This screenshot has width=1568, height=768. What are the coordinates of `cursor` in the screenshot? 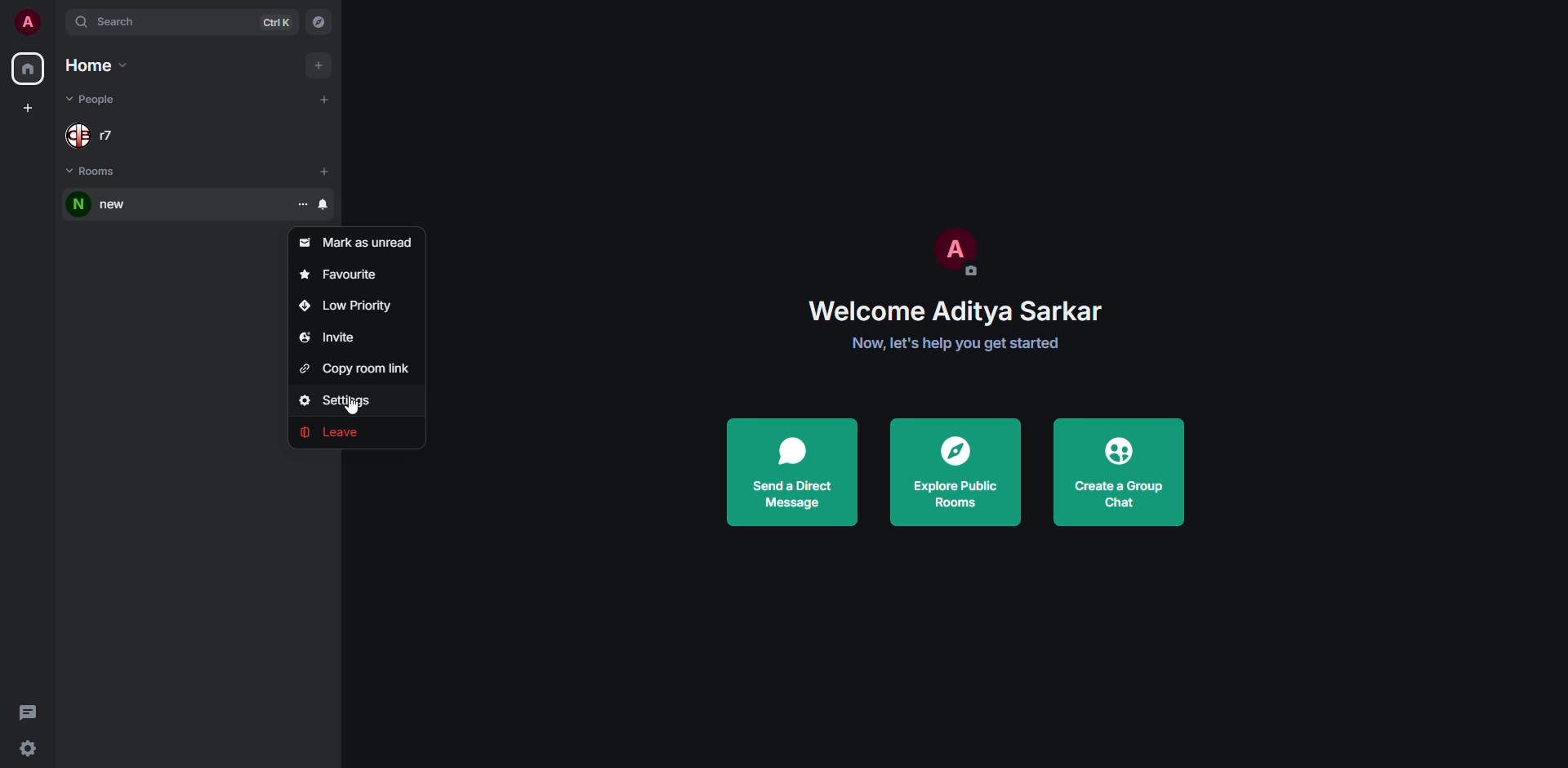 It's located at (355, 409).